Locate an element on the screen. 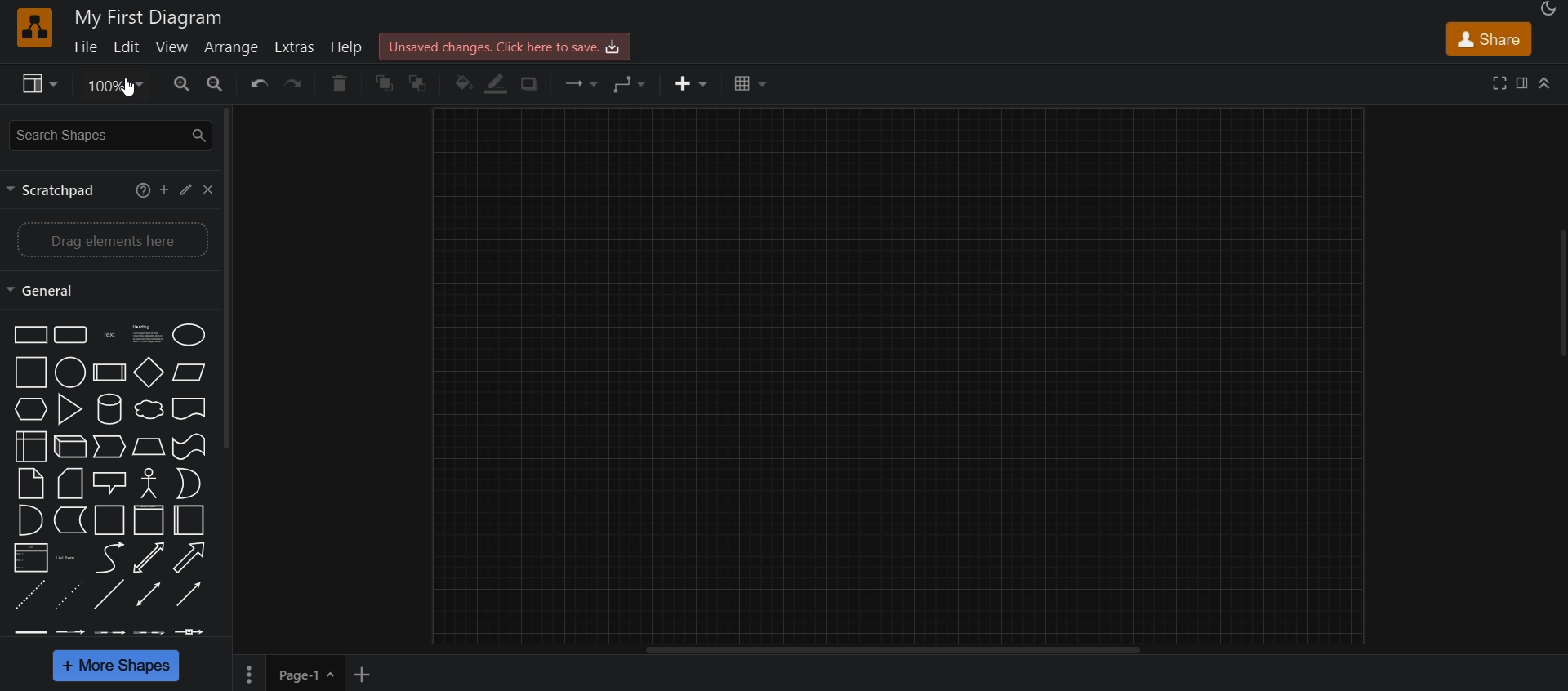 Image resolution: width=1568 pixels, height=691 pixels. format is located at coordinates (1521, 83).